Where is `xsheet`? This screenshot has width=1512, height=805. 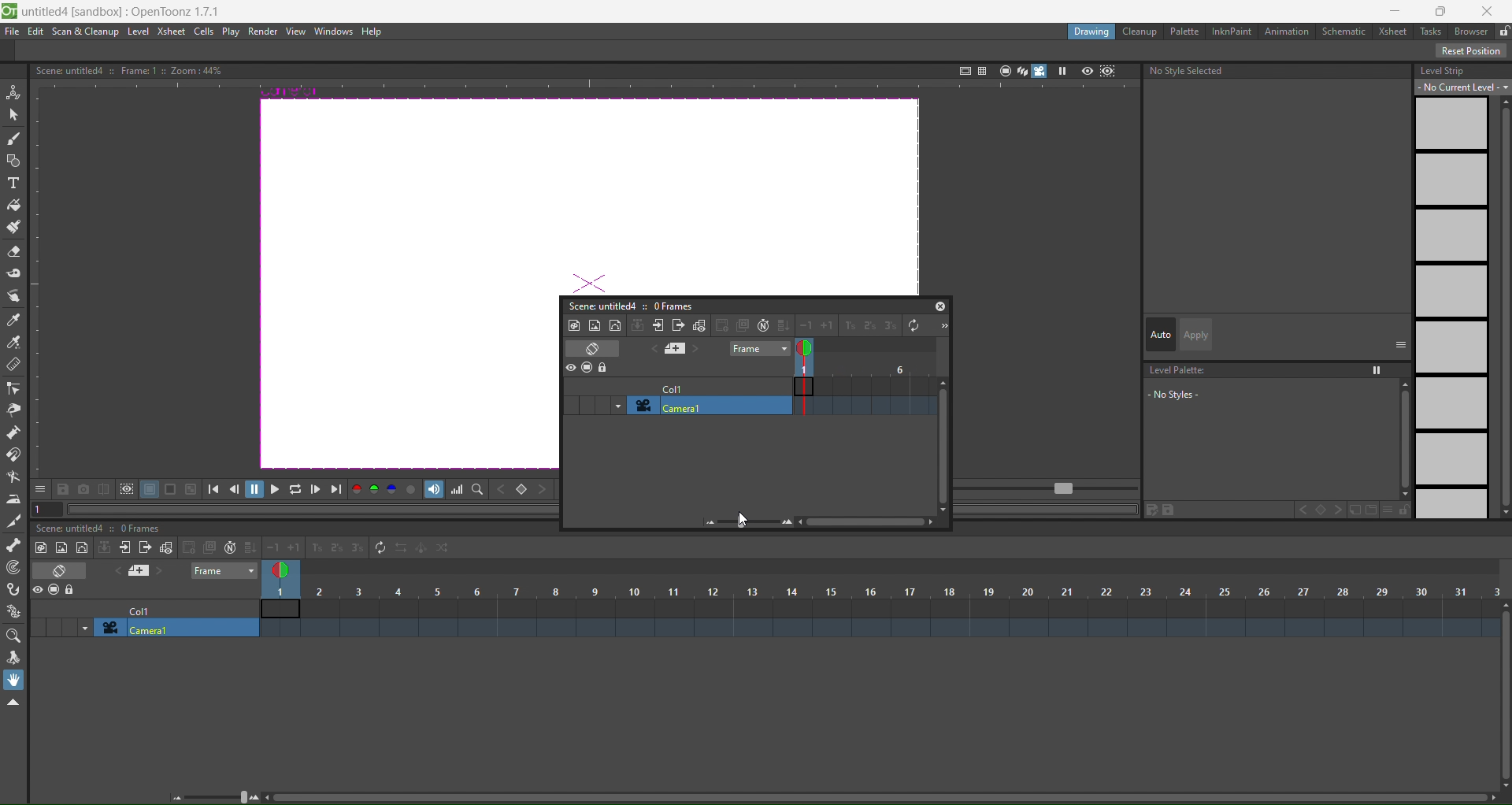 xsheet is located at coordinates (170, 31).